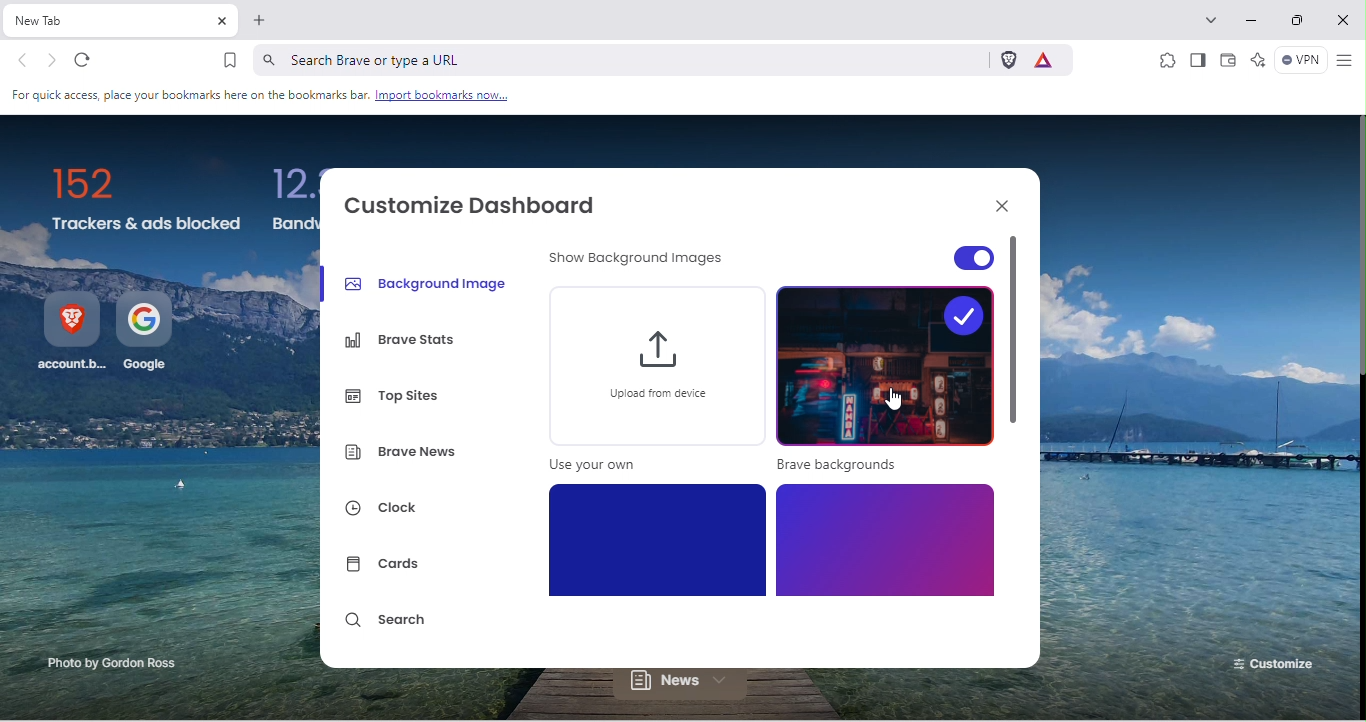 The image size is (1366, 722). What do you see at coordinates (262, 96) in the screenshot?
I see `For quick access, place your bookmarks here on the bookmarks bar. Import bookmarks now...` at bounding box center [262, 96].